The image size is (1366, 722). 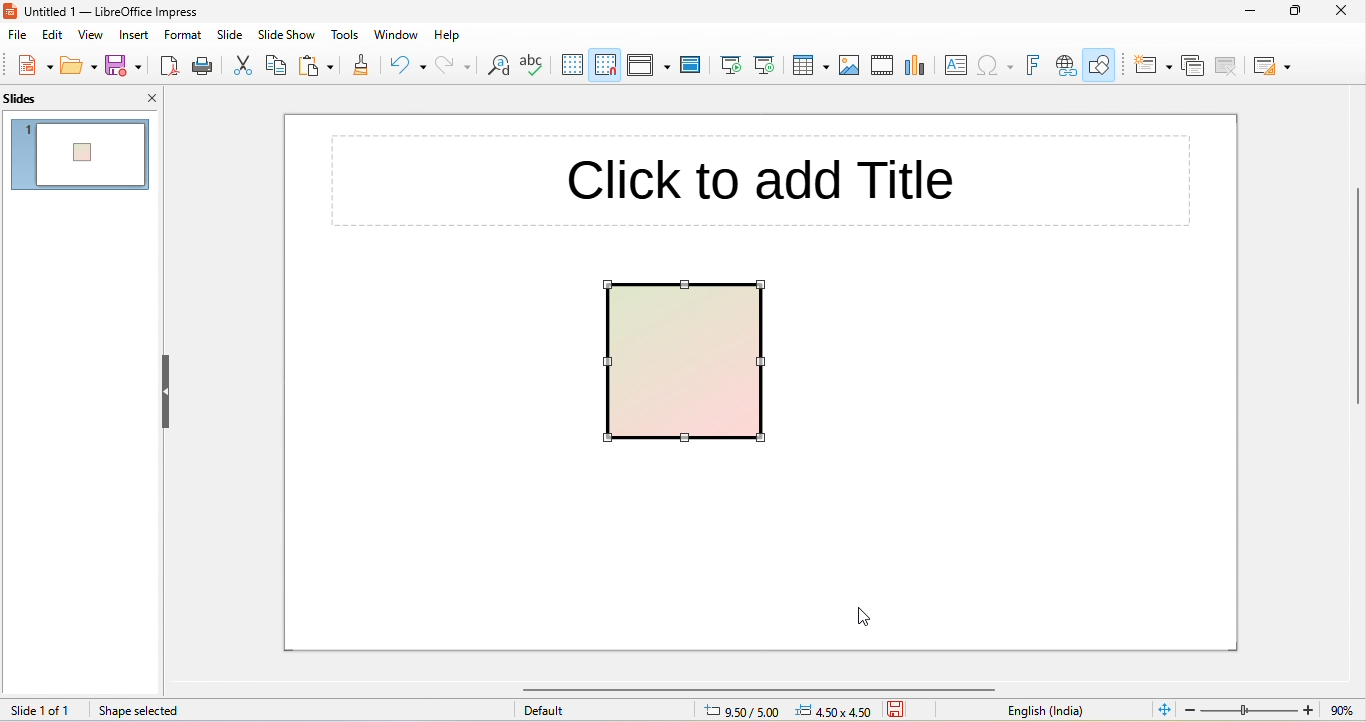 I want to click on duplicate, so click(x=1193, y=64).